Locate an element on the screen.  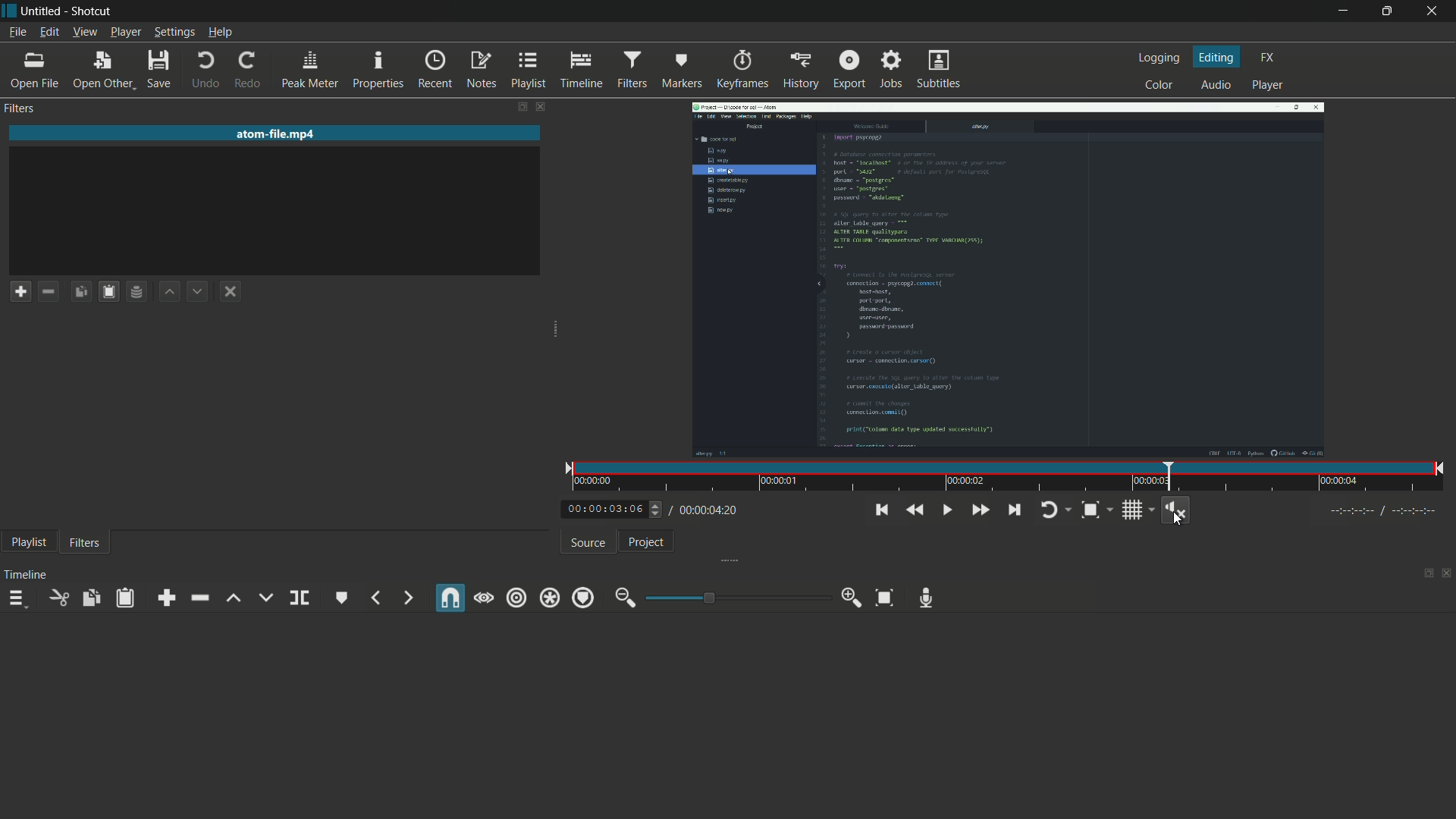
scrub while dragging is located at coordinates (485, 598).